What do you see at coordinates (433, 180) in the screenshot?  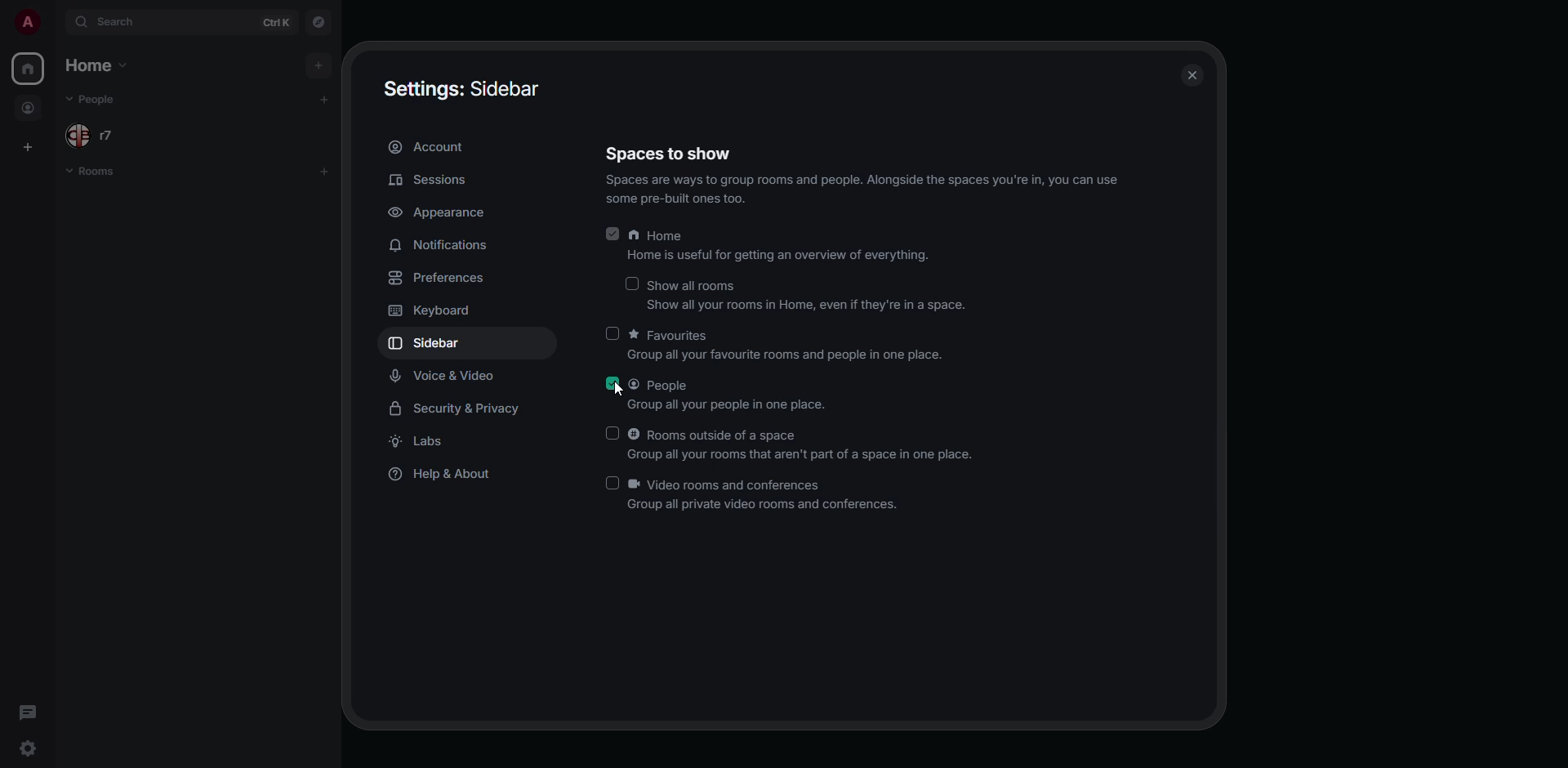 I see `sessions` at bounding box center [433, 180].